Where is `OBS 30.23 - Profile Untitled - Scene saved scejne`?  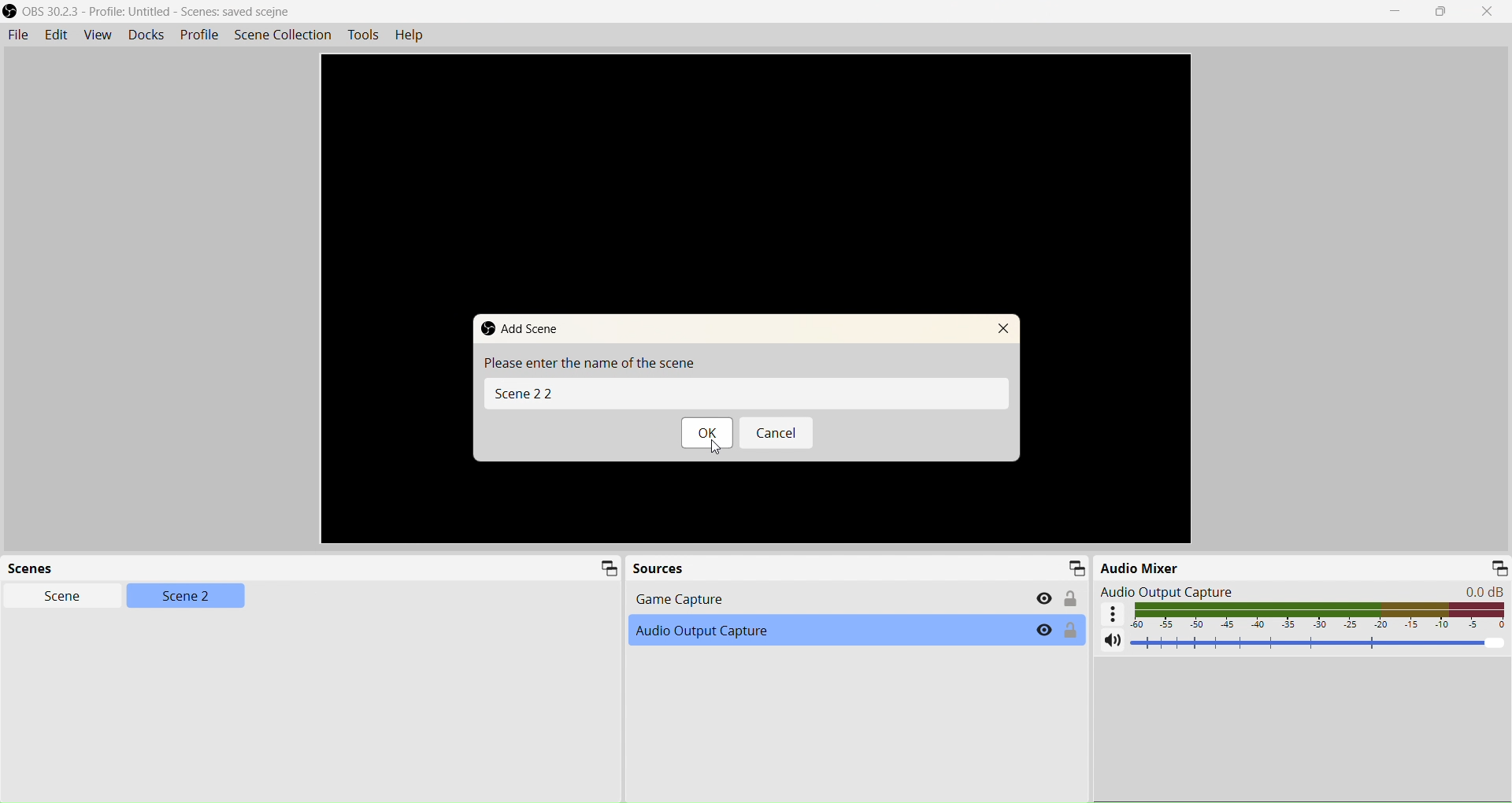
OBS 30.23 - Profile Untitled - Scene saved scejne is located at coordinates (150, 11).